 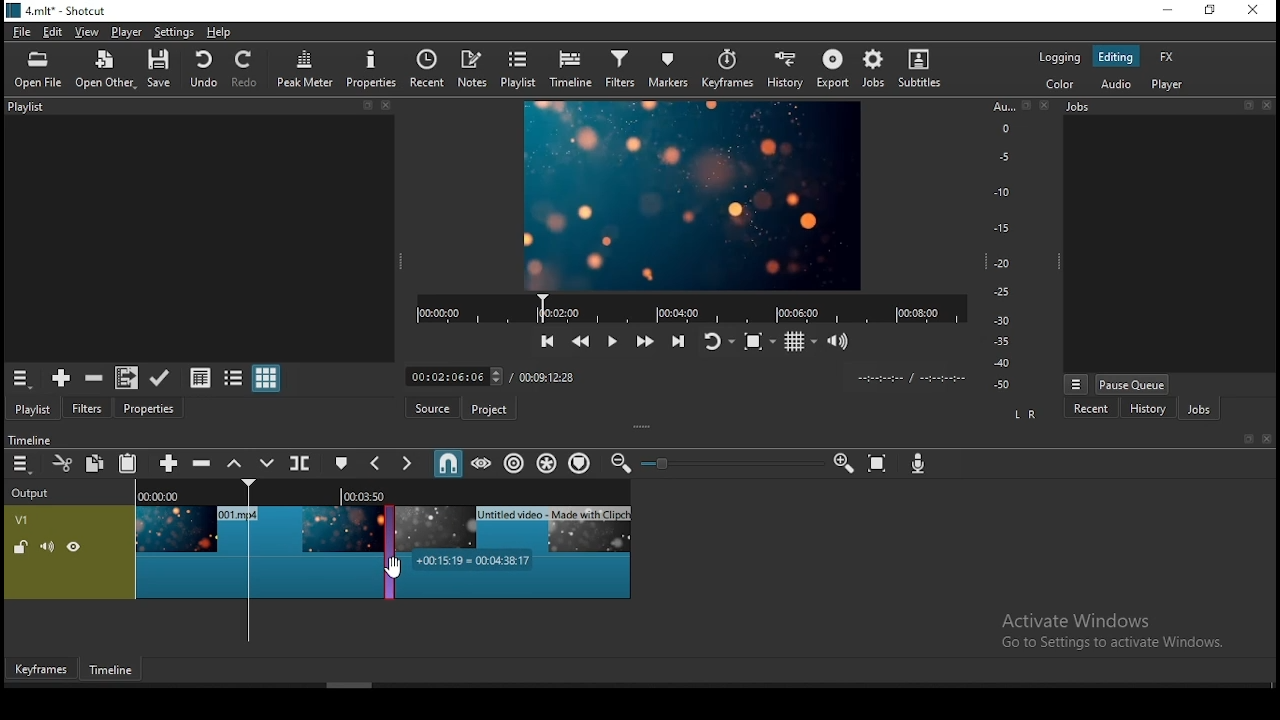 What do you see at coordinates (919, 69) in the screenshot?
I see `subtitles` at bounding box center [919, 69].